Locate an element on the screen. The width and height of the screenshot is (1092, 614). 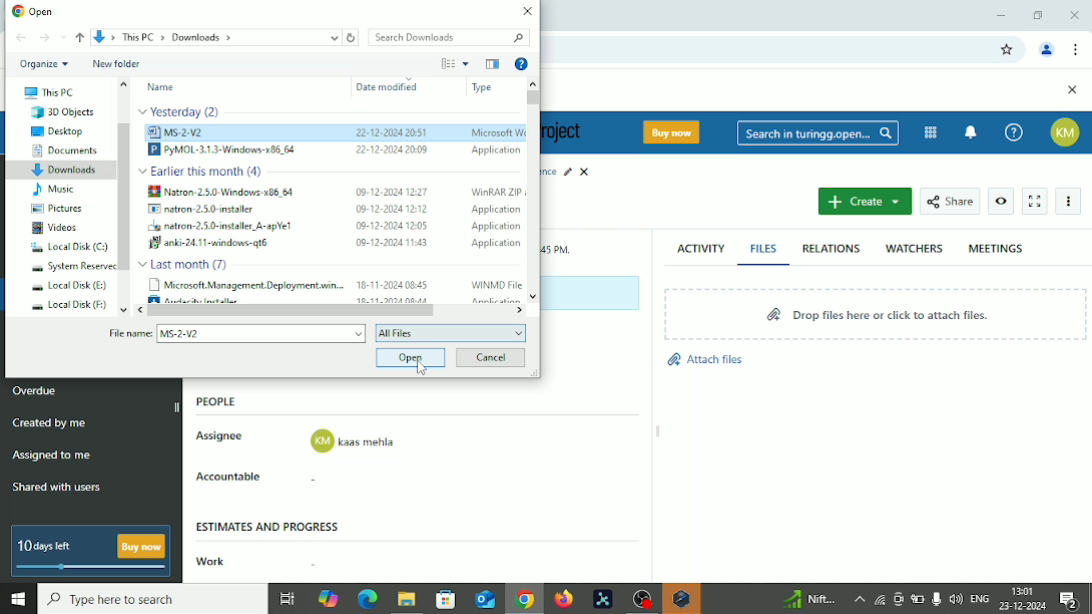
Refresh is located at coordinates (352, 38).